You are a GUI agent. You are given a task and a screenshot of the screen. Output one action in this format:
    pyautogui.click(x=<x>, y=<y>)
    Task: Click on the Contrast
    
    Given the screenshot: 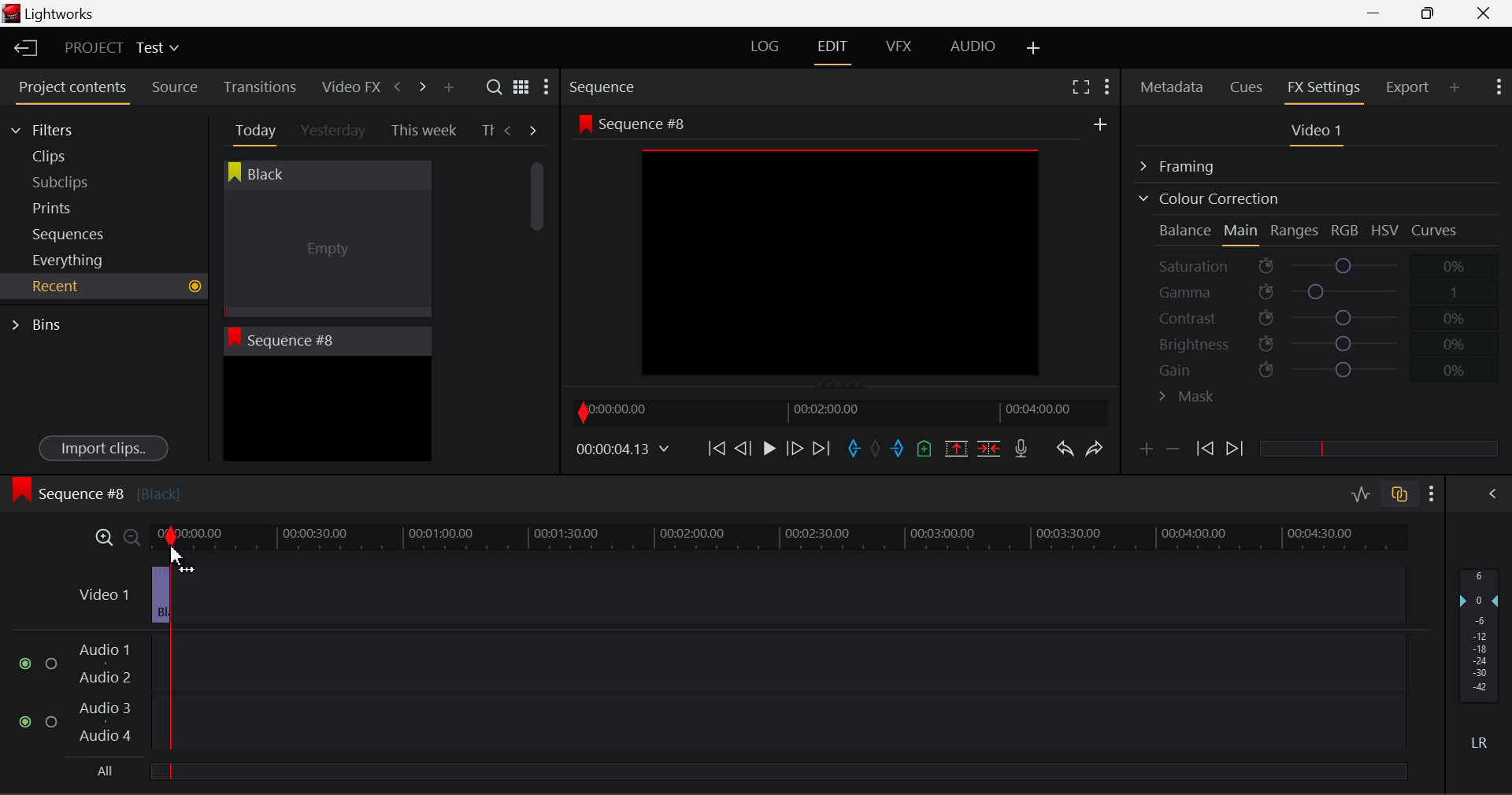 What is the action you would take?
    pyautogui.click(x=1318, y=317)
    